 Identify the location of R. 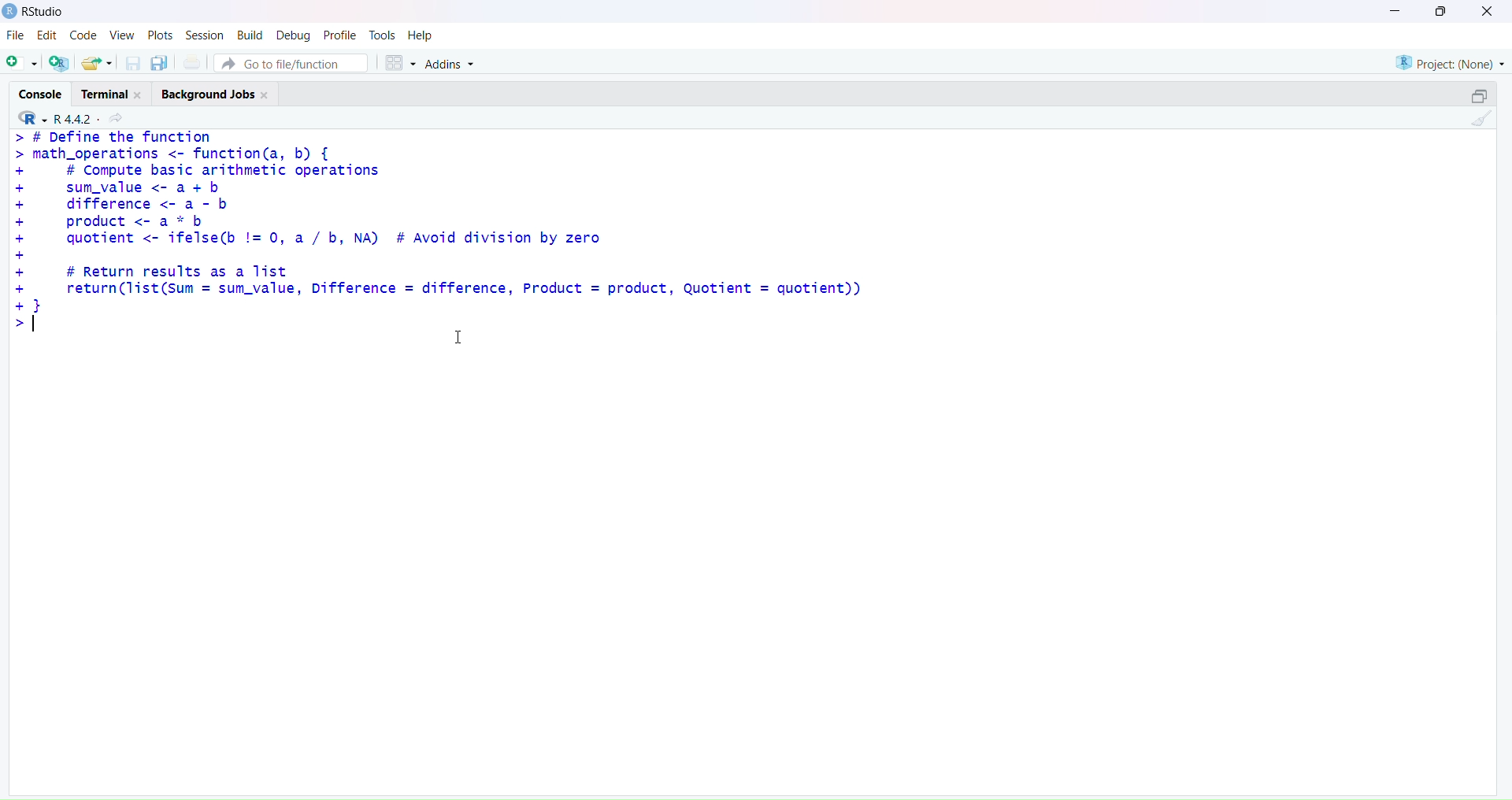
(28, 119).